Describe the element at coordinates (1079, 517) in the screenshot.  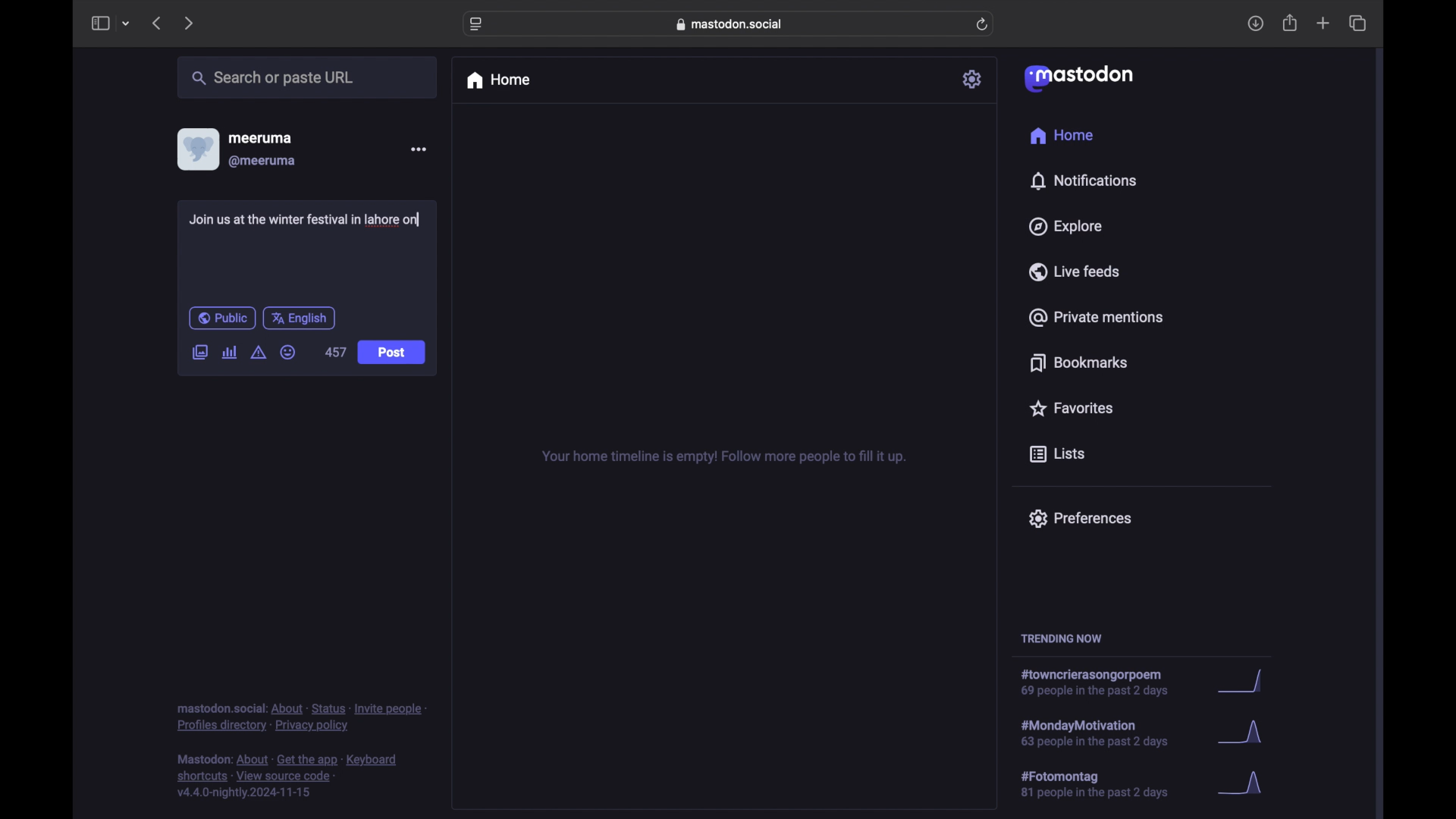
I see `preferences` at that location.